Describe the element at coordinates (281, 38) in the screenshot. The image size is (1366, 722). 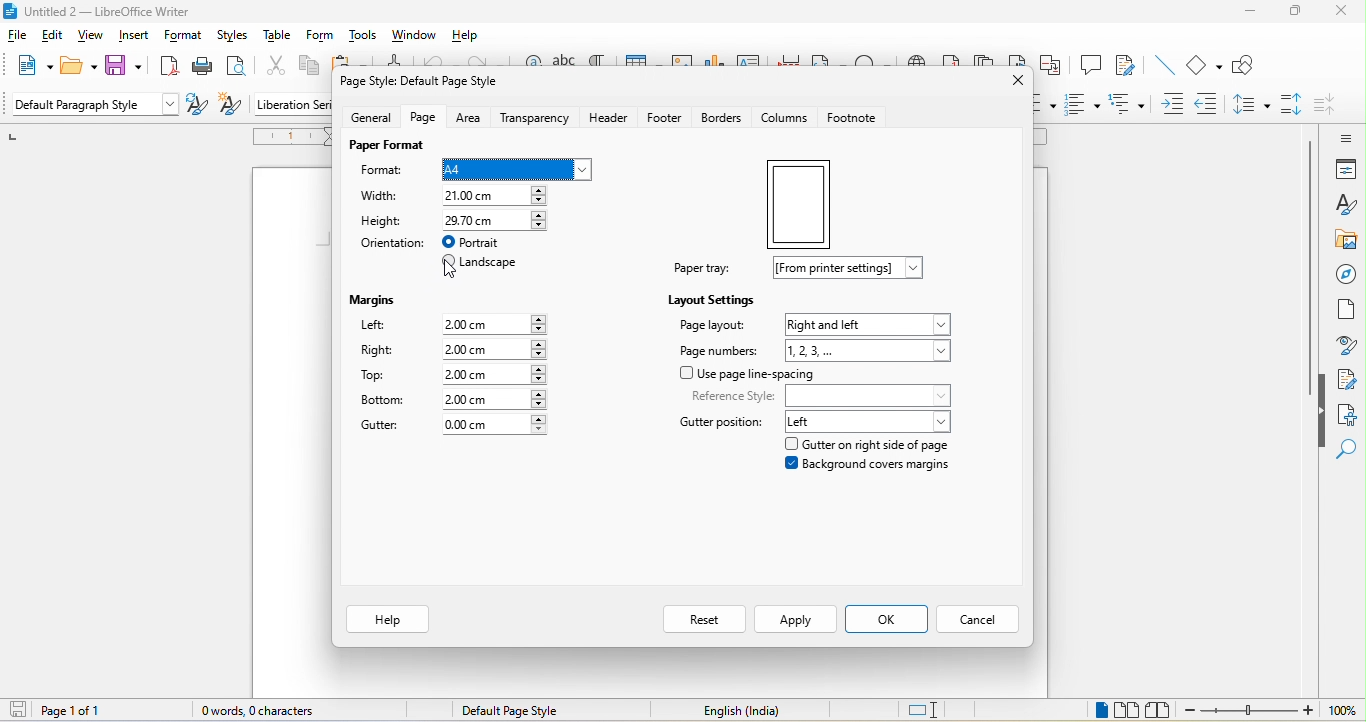
I see `table` at that location.